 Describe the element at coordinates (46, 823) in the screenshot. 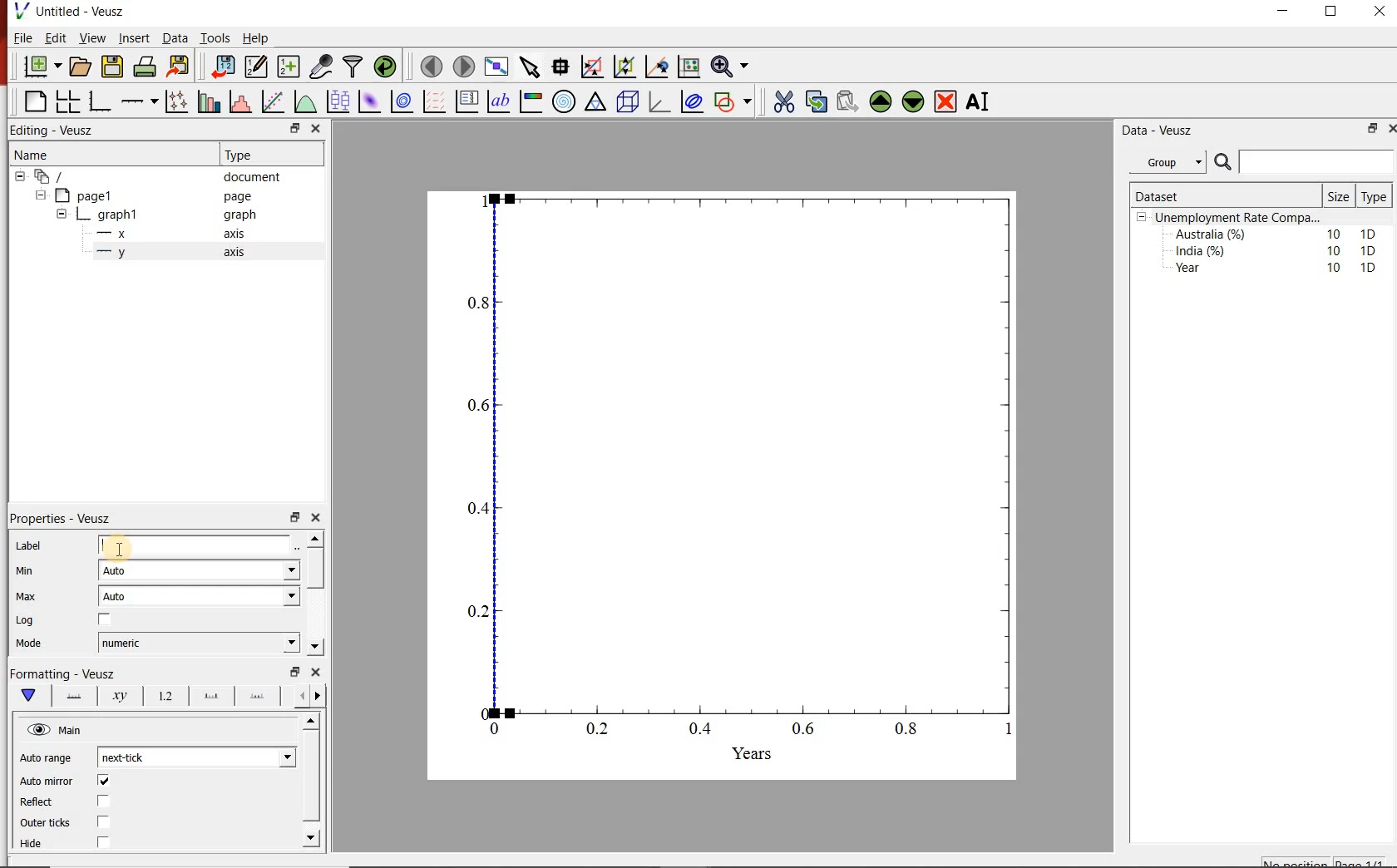

I see `Outer ticks` at that location.